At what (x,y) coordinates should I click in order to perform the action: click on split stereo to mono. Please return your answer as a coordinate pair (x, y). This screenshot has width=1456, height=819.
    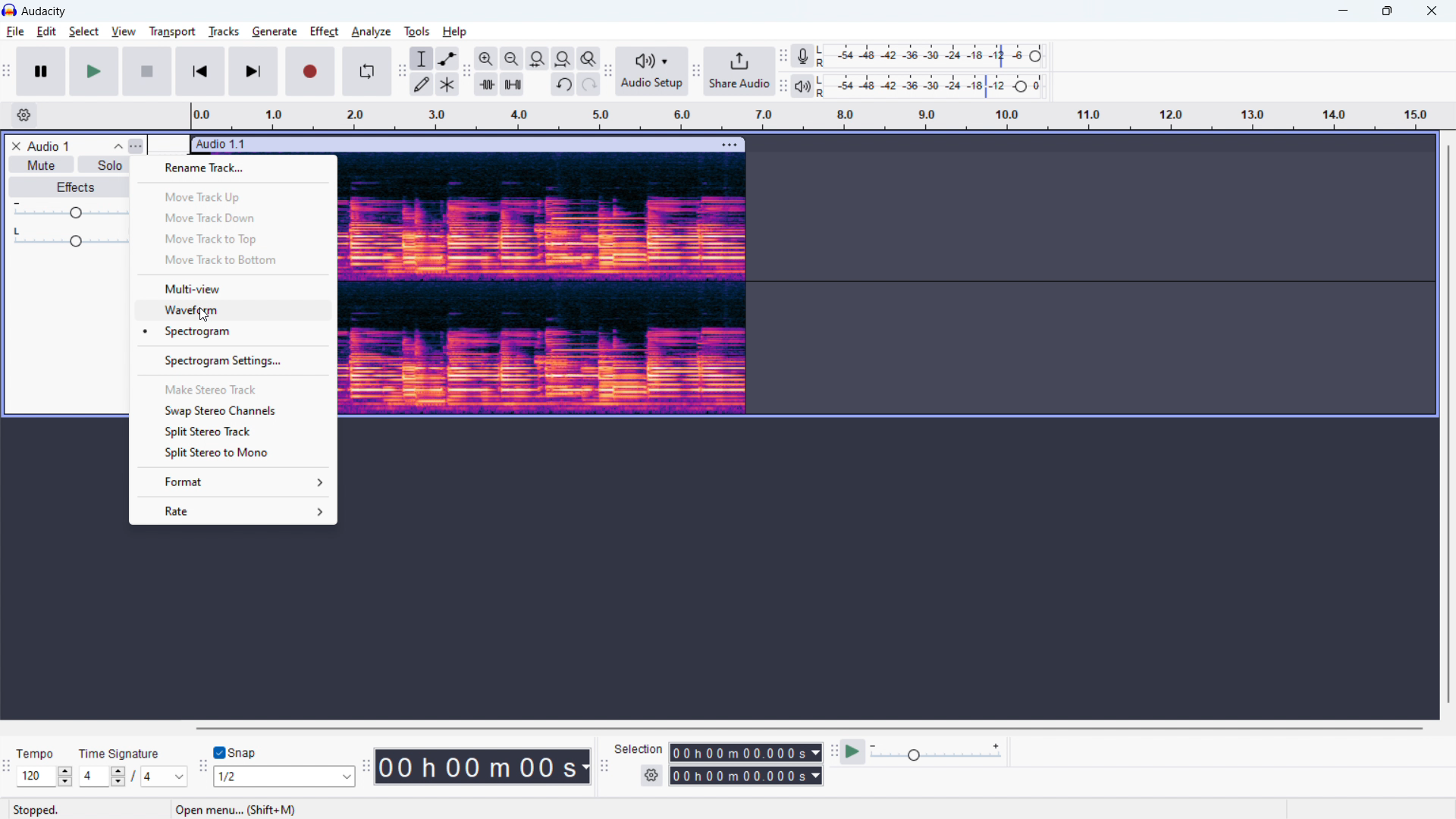
    Looking at the image, I should click on (233, 454).